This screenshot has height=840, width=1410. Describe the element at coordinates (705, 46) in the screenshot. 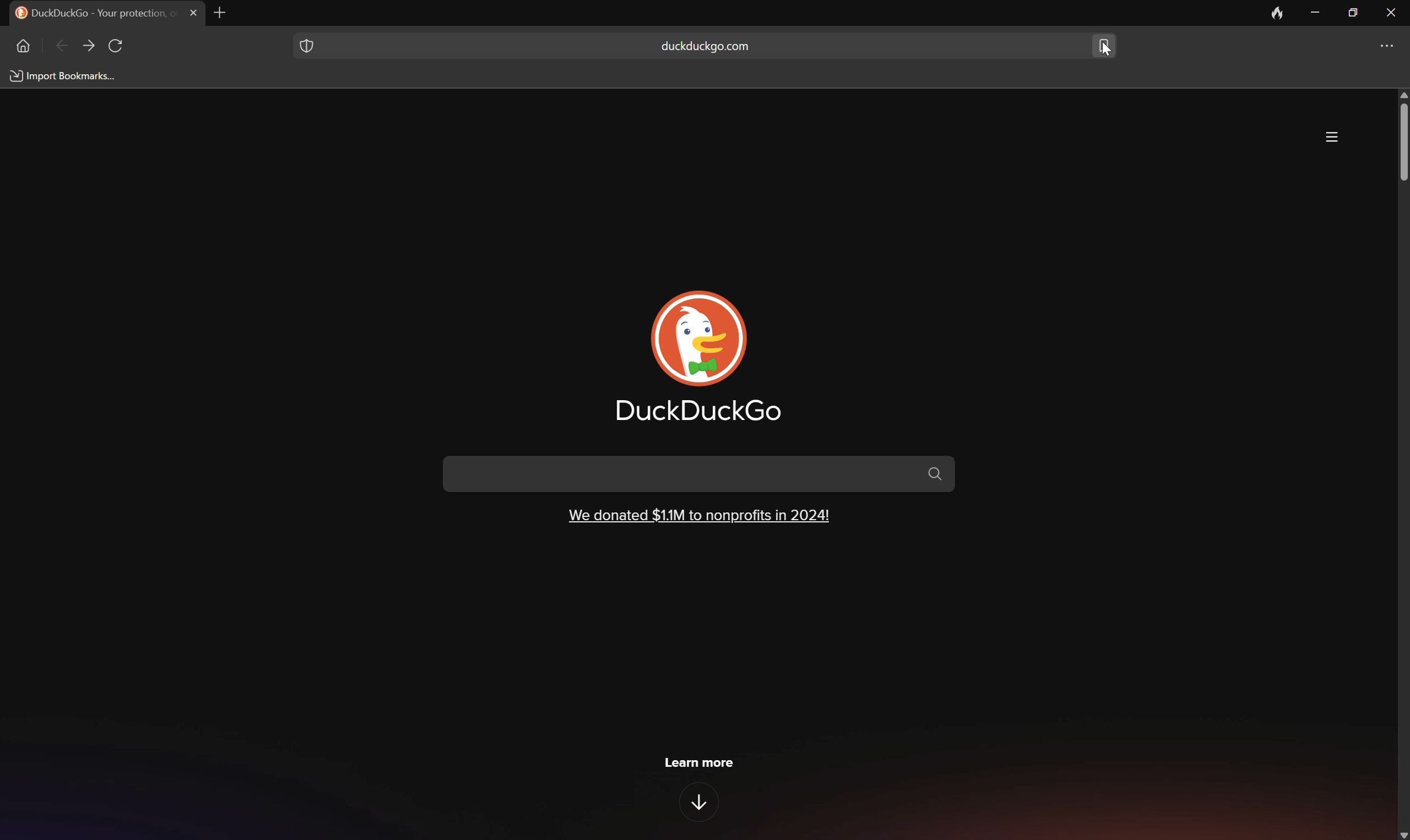

I see `duckduckgo.com` at that location.